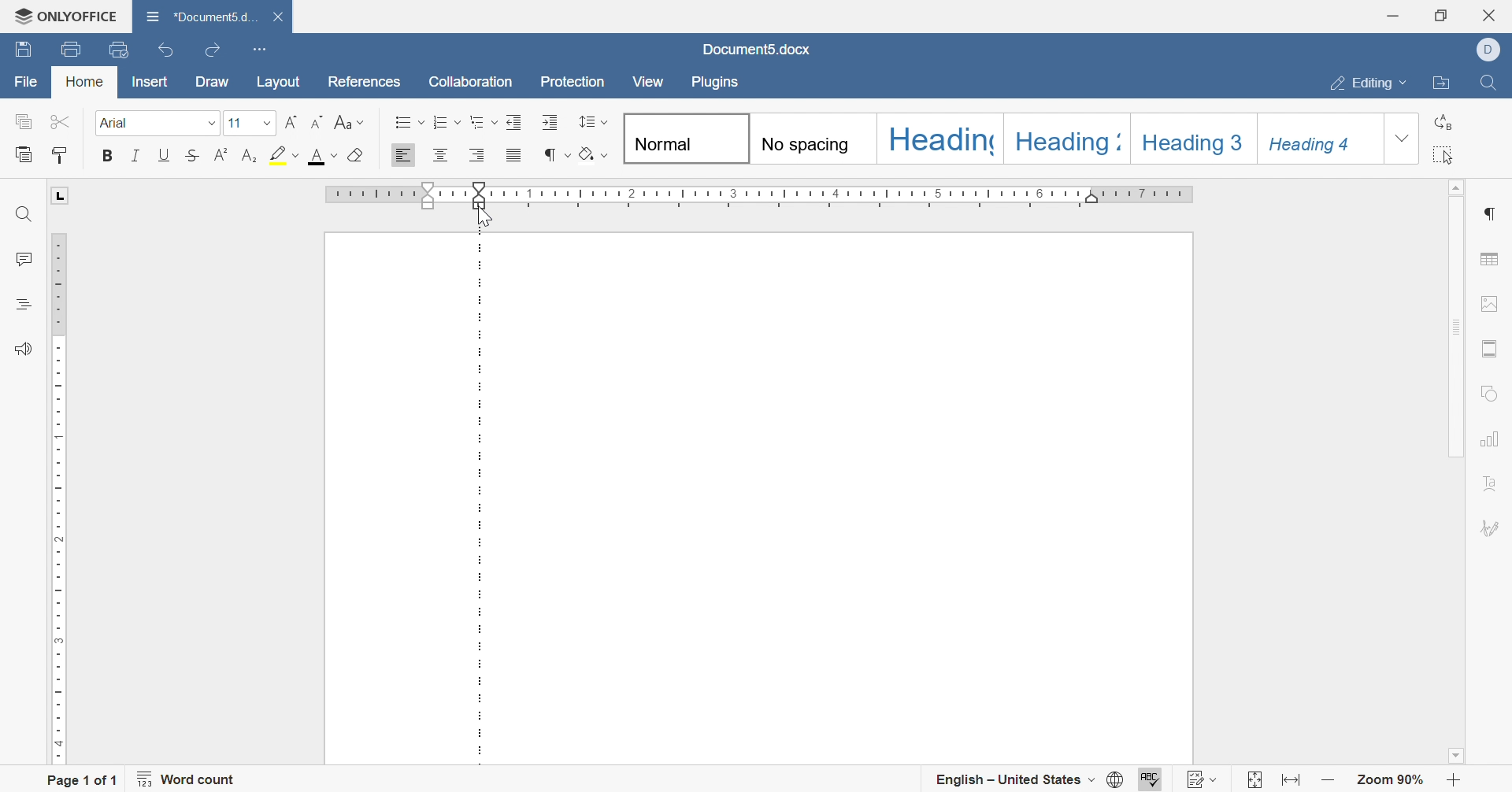  What do you see at coordinates (409, 122) in the screenshot?
I see `bullets` at bounding box center [409, 122].